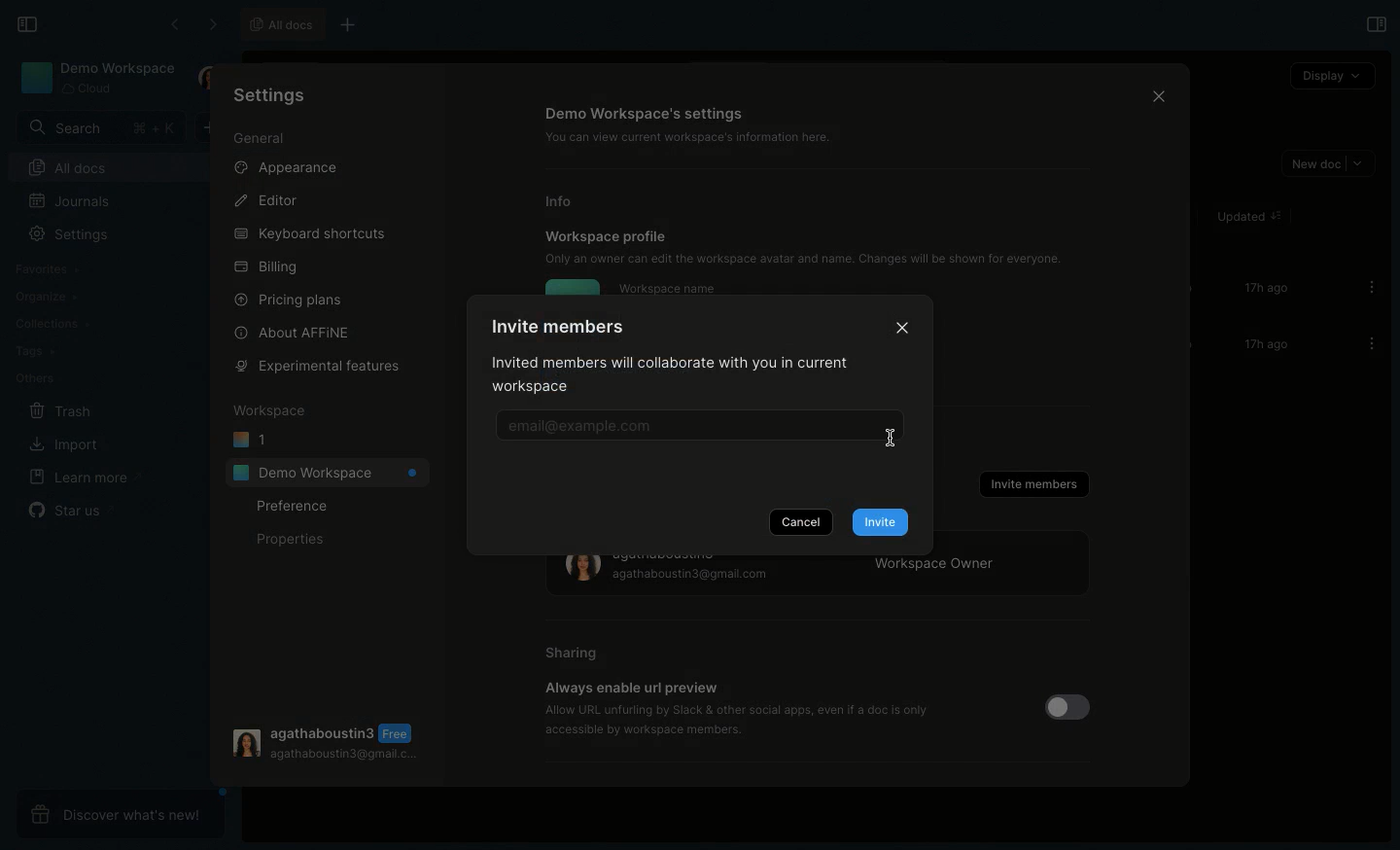 Image resolution: width=1400 pixels, height=850 pixels. I want to click on Info, so click(566, 201).